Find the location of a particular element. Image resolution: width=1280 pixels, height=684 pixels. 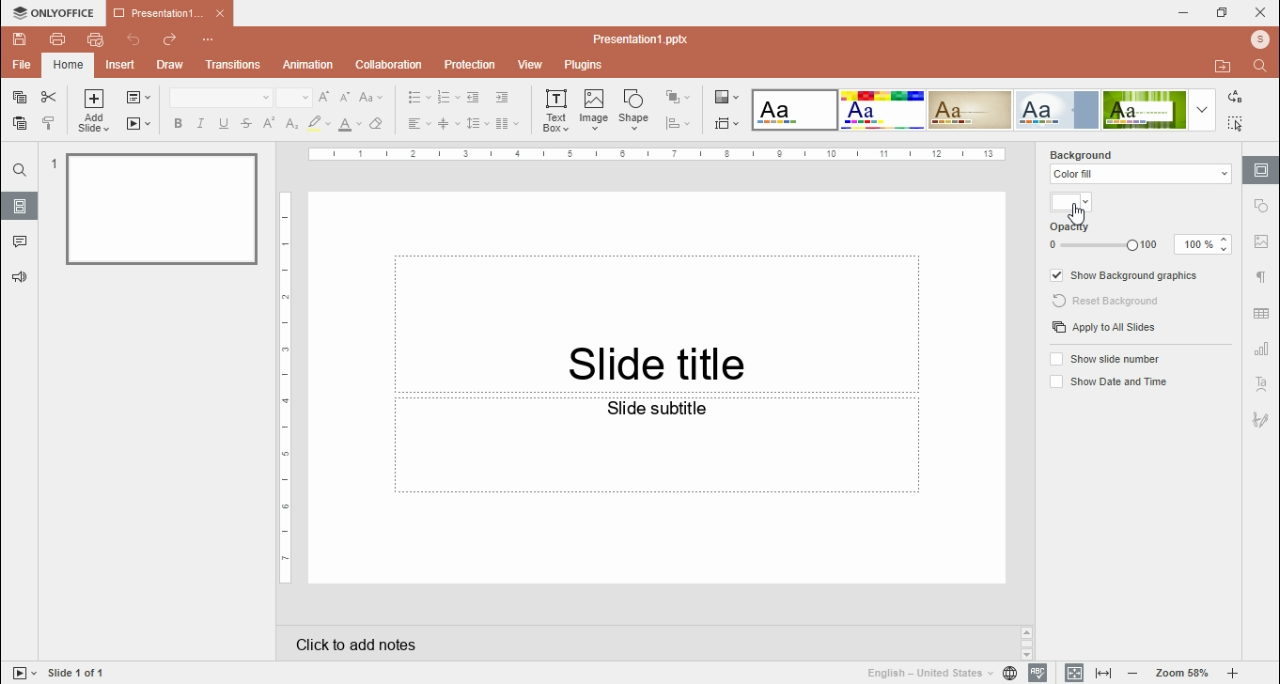

copy style is located at coordinates (48, 124).